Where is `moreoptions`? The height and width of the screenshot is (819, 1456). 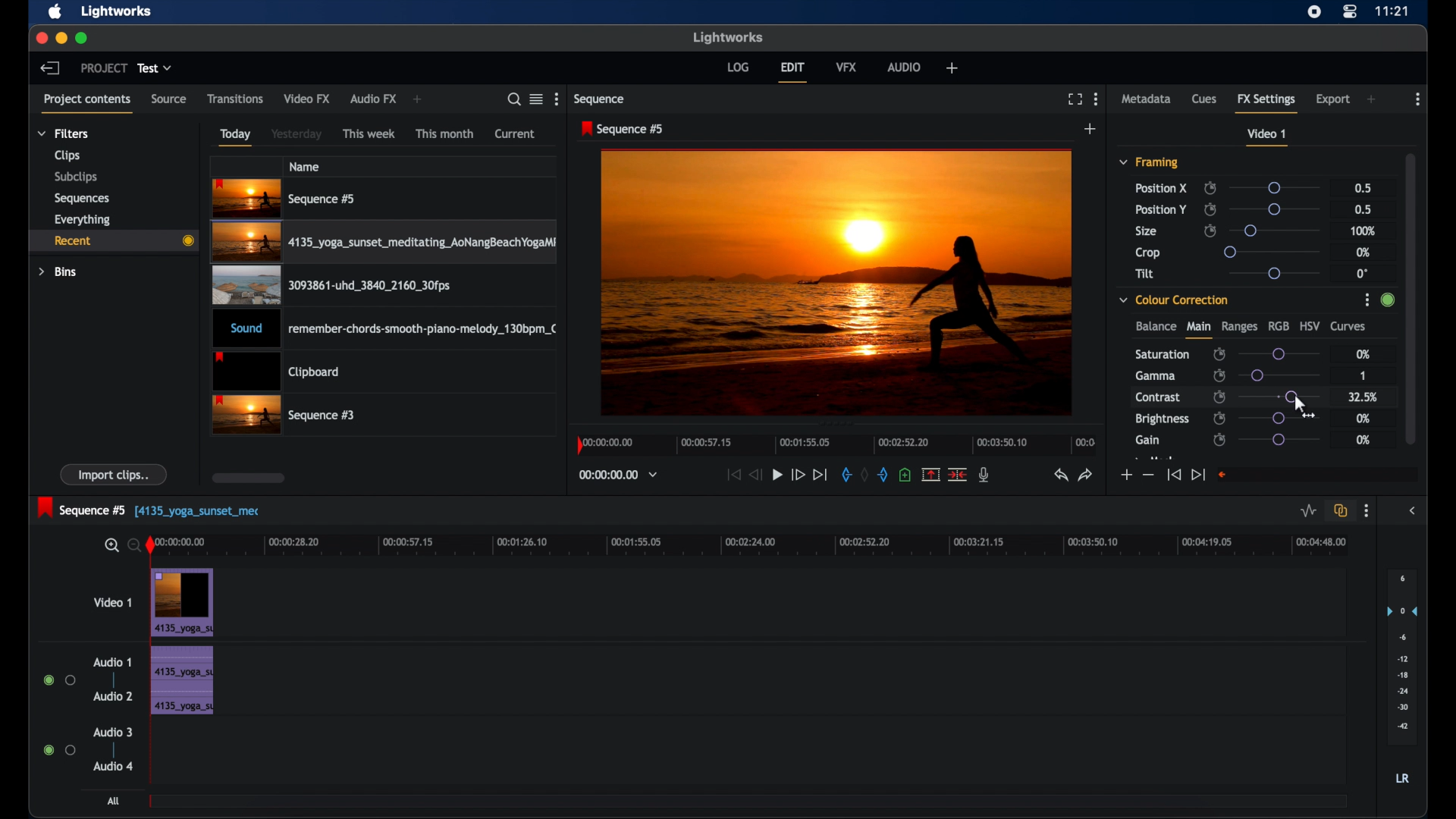
moreoptions is located at coordinates (1097, 98).